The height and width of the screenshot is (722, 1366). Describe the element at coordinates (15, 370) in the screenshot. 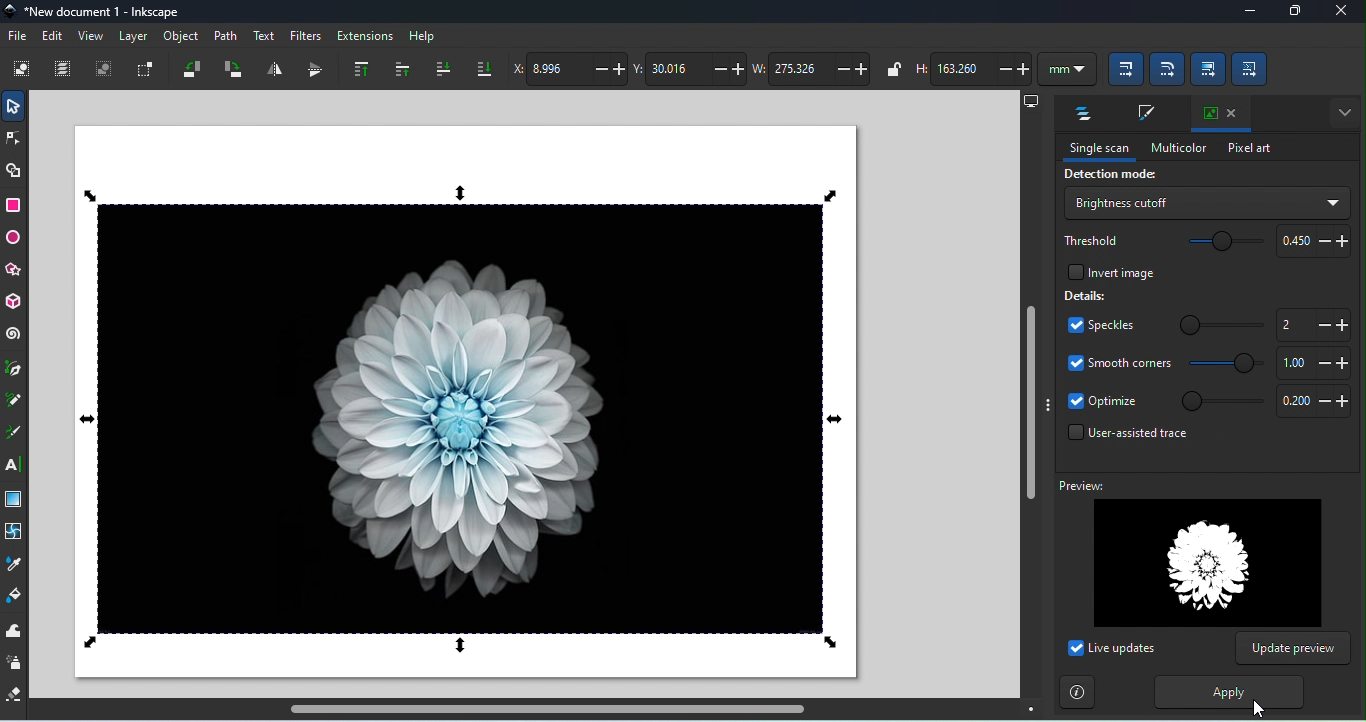

I see `Pen tool` at that location.